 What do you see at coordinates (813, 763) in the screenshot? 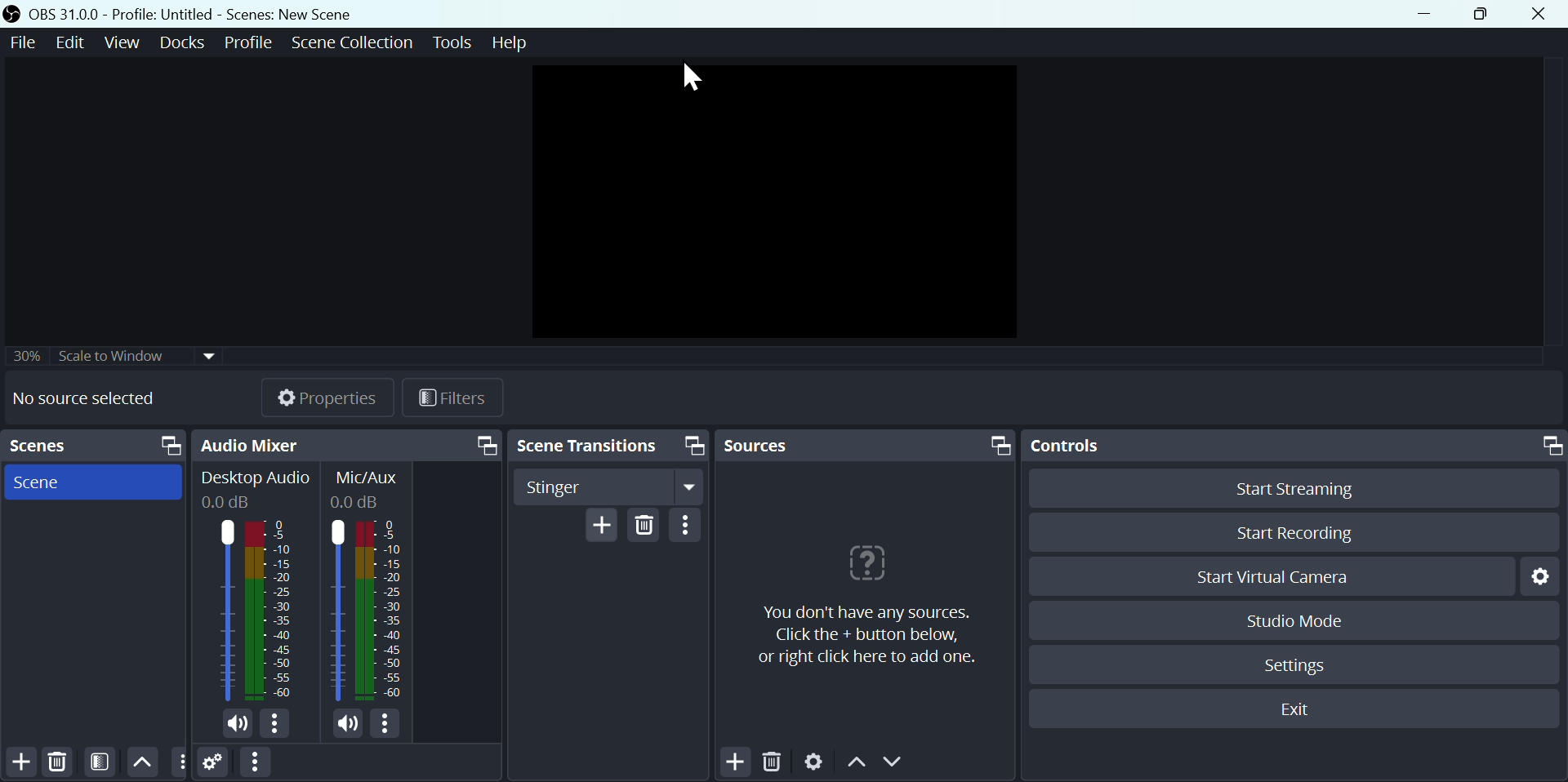
I see `Settings` at bounding box center [813, 763].